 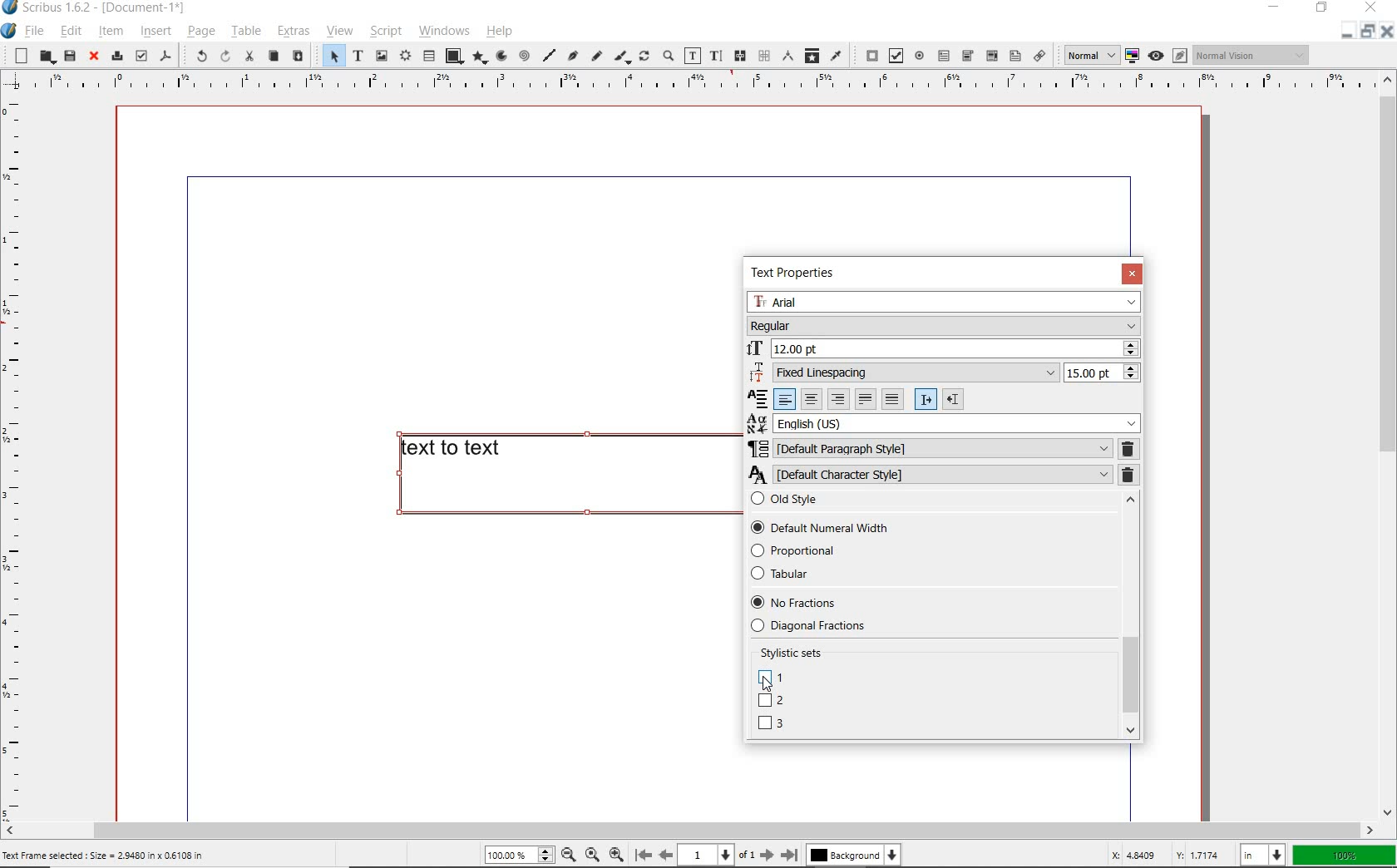 What do you see at coordinates (837, 550) in the screenshot?
I see `Proportional` at bounding box center [837, 550].